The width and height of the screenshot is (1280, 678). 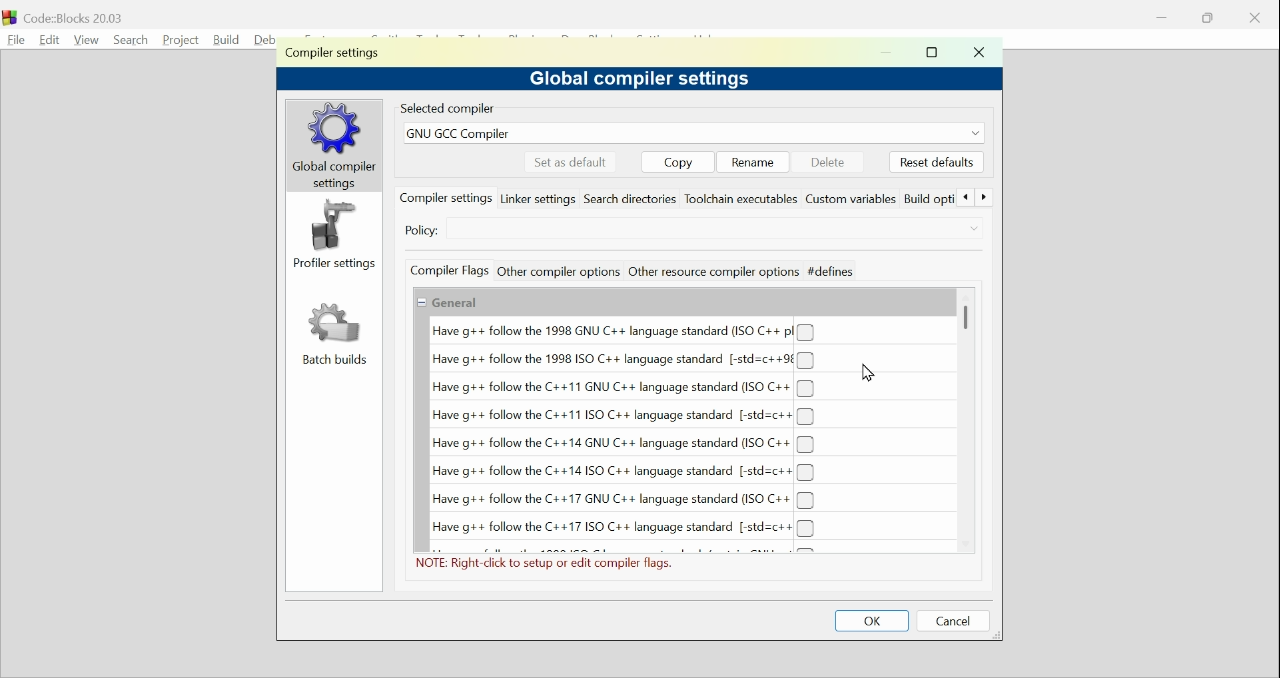 What do you see at coordinates (451, 303) in the screenshot?
I see `Show/Hide General` at bounding box center [451, 303].